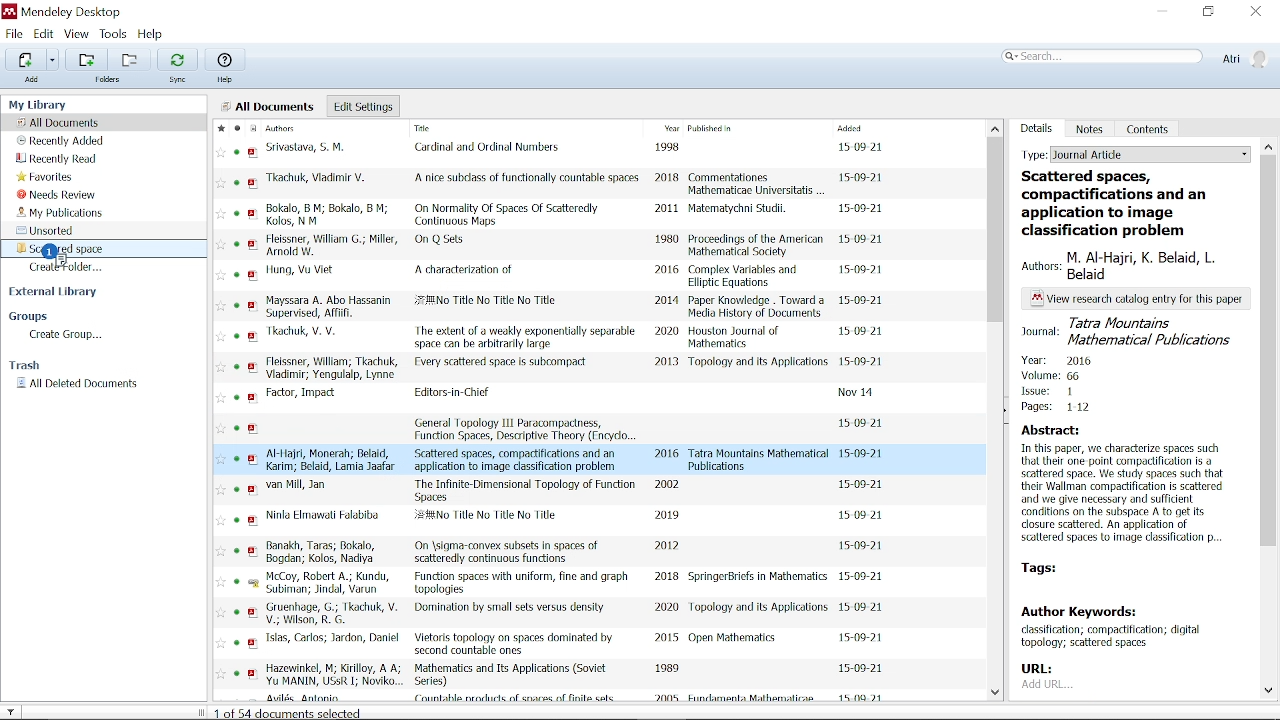 Image resolution: width=1280 pixels, height=720 pixels. I want to click on SpringerBricfs in Mathematics, so click(758, 578).